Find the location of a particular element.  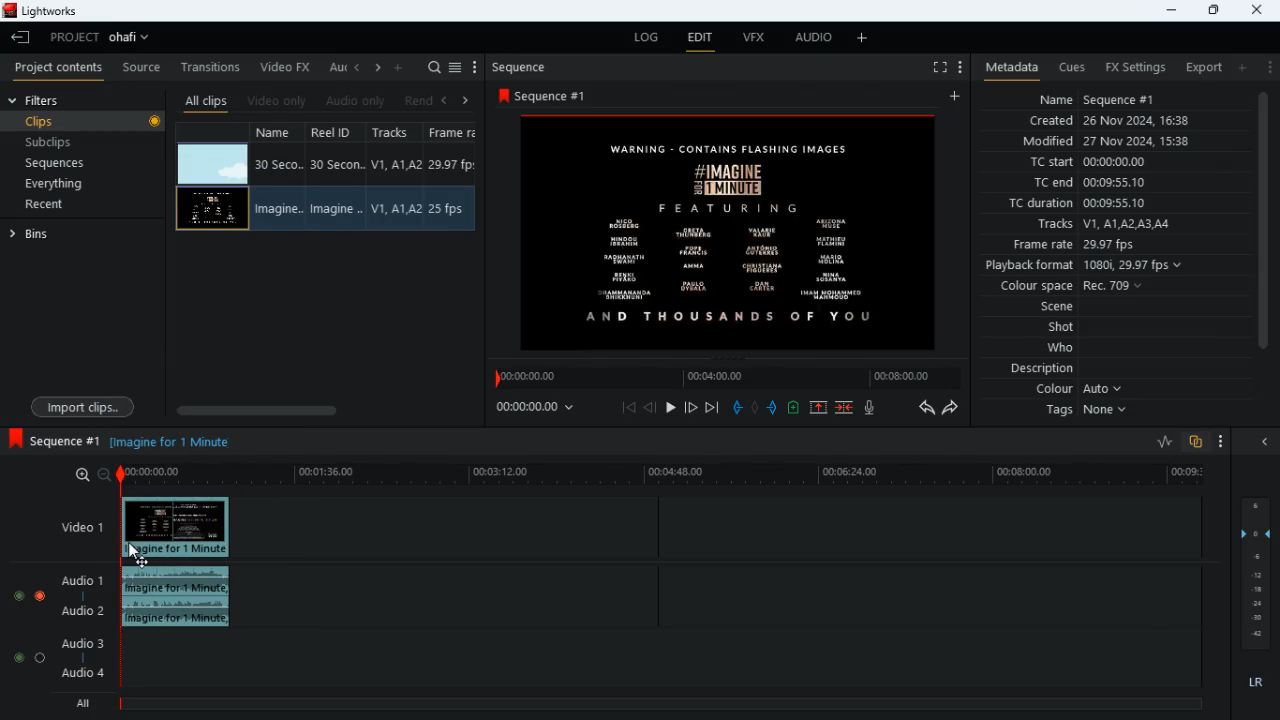

play is located at coordinates (669, 408).